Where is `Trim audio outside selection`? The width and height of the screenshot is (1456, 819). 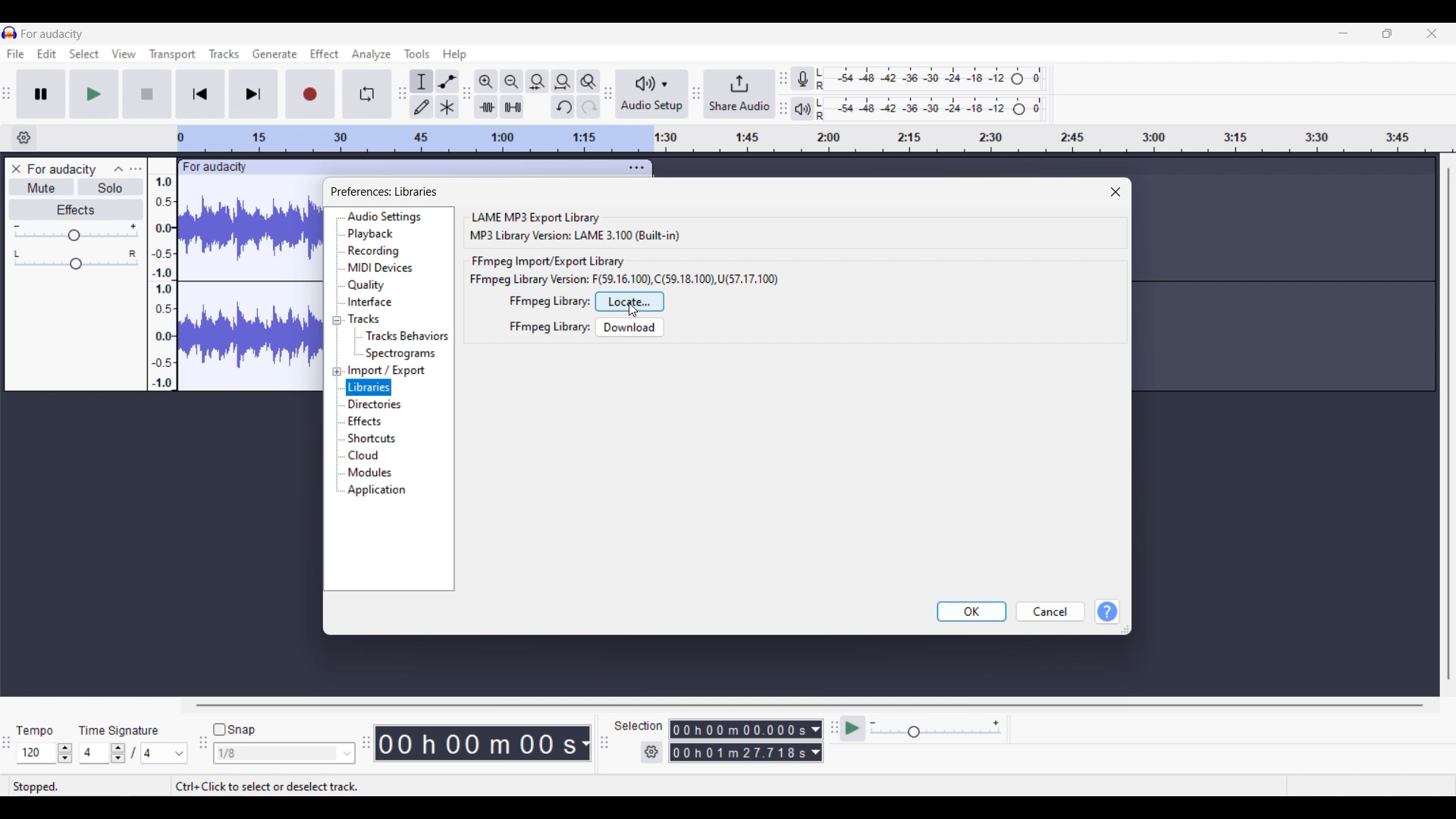
Trim audio outside selection is located at coordinates (486, 107).